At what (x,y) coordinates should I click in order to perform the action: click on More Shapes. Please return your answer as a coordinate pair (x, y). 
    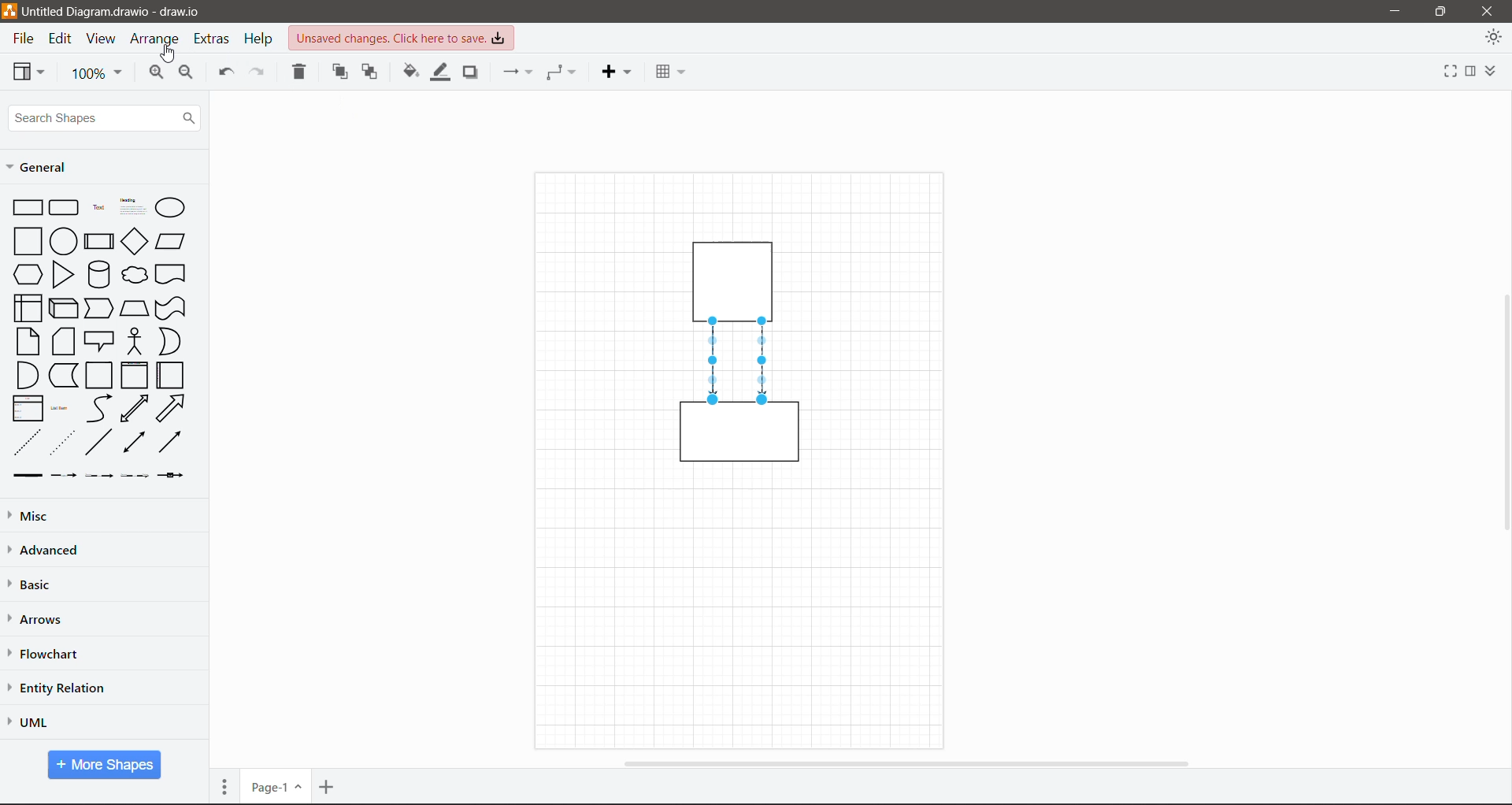
    Looking at the image, I should click on (105, 765).